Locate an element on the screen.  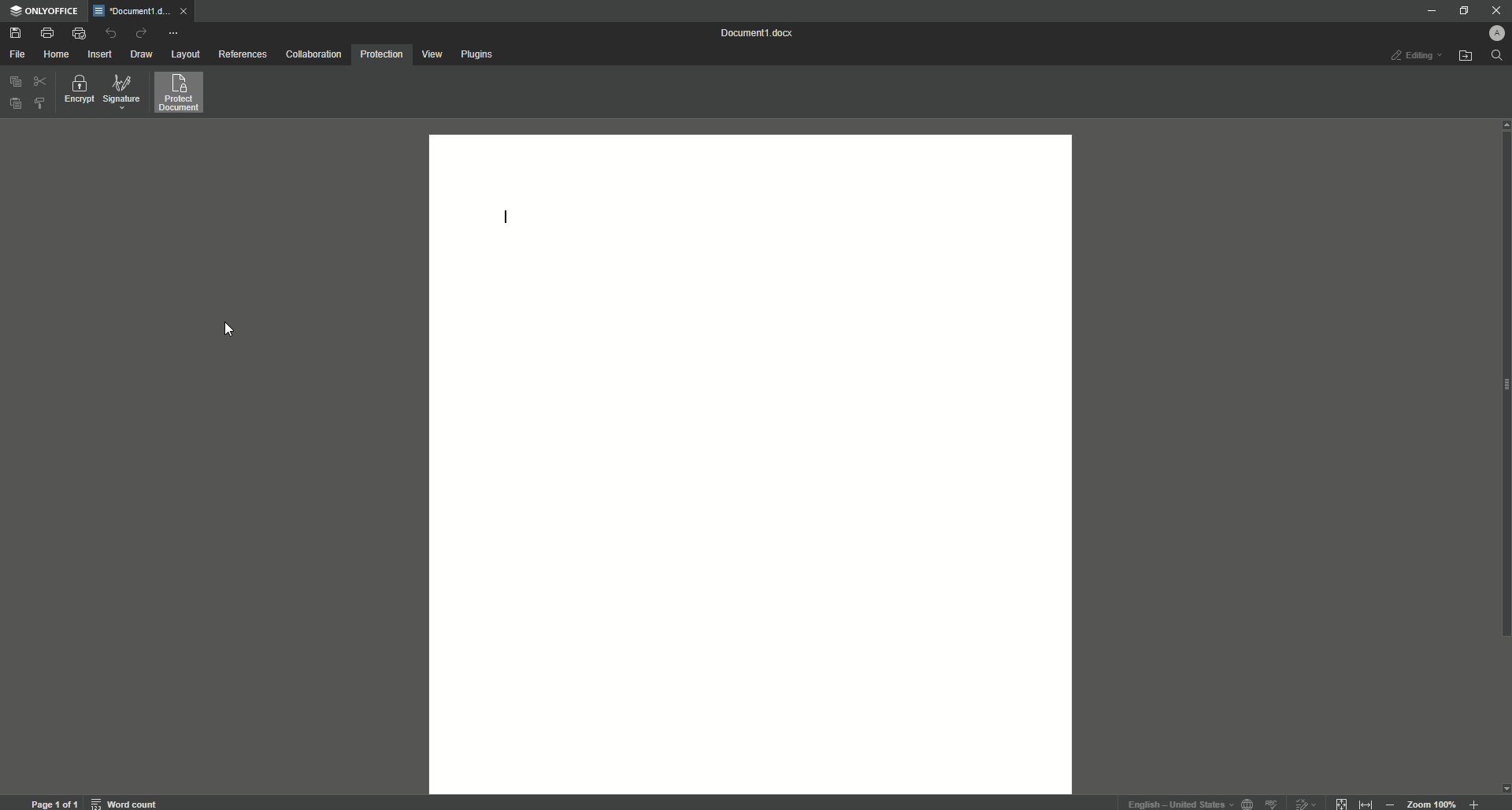
Undo is located at coordinates (112, 32).